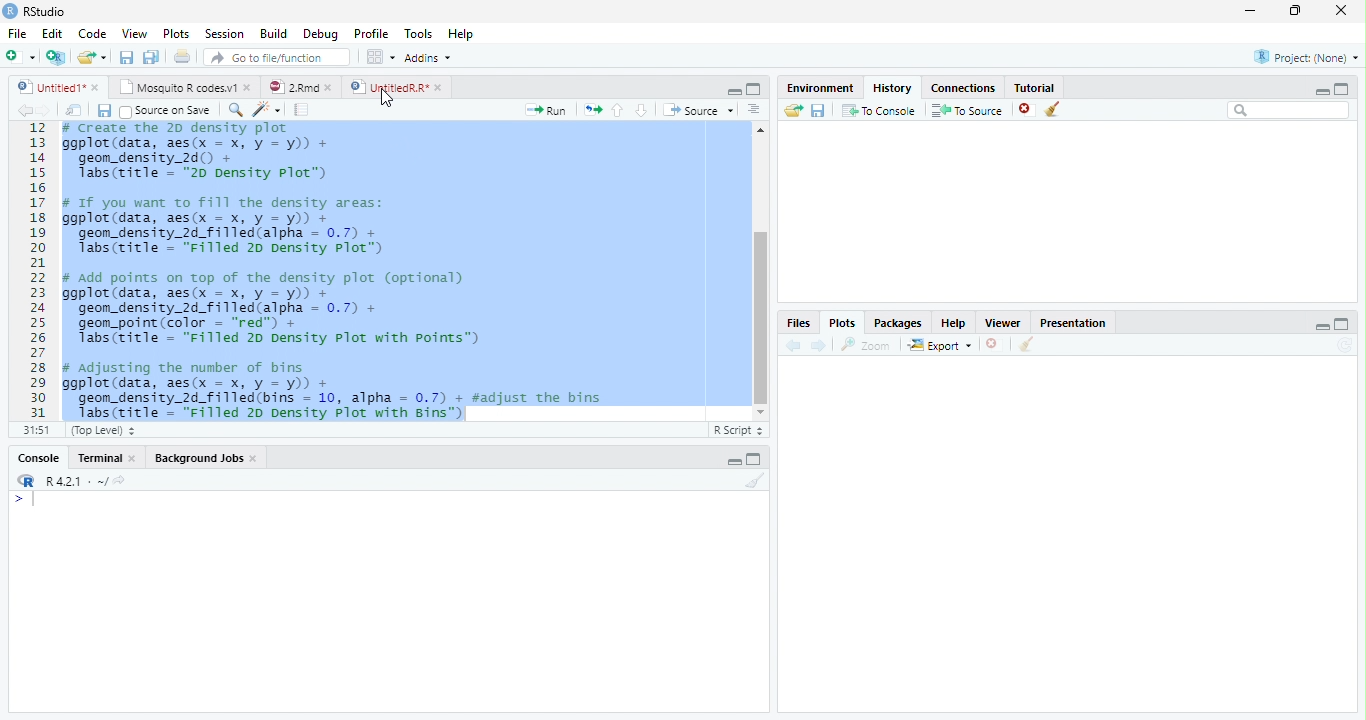 Image resolution: width=1366 pixels, height=720 pixels. Describe the element at coordinates (791, 111) in the screenshot. I see `Load workspace` at that location.